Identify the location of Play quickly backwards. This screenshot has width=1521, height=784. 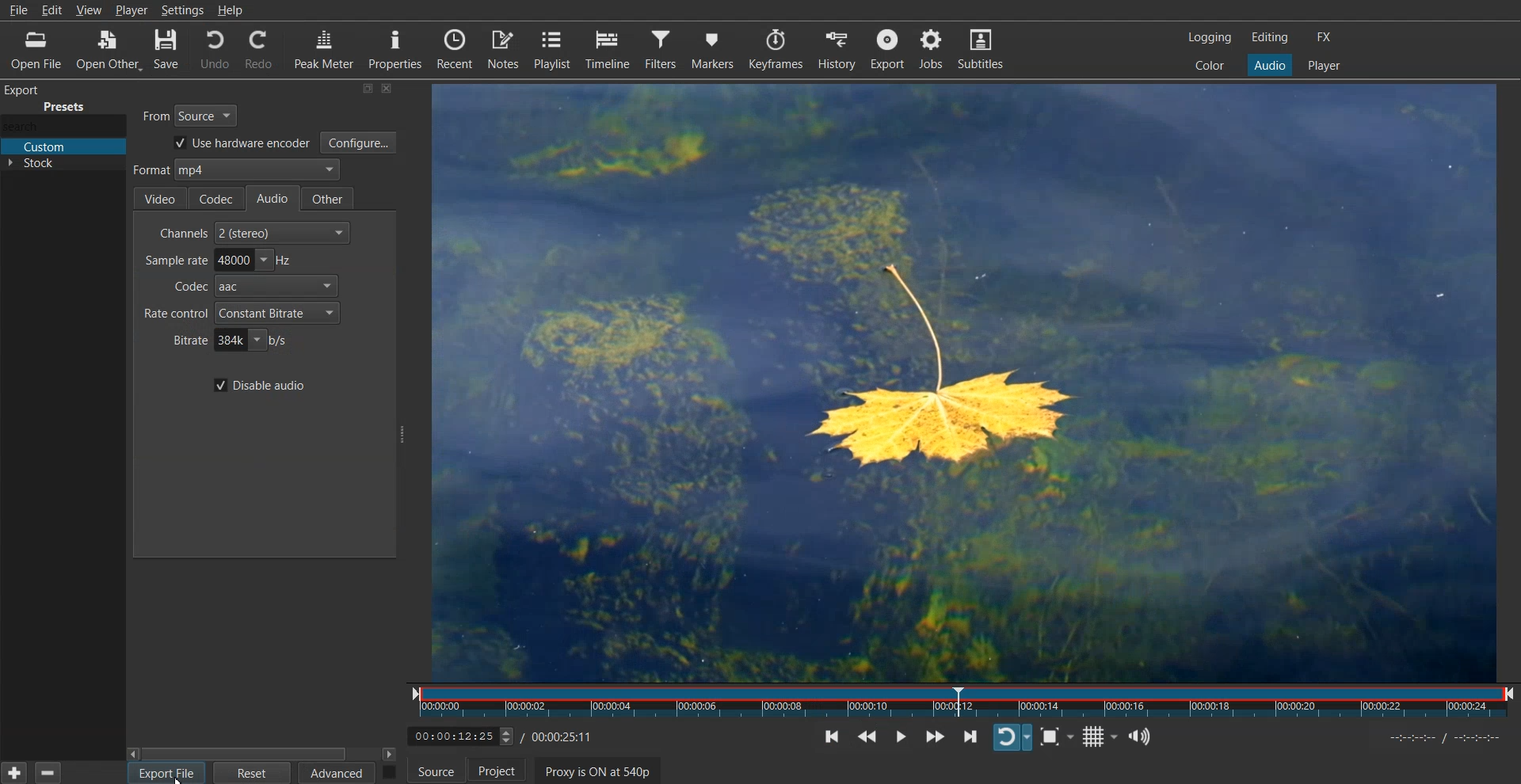
(874, 736).